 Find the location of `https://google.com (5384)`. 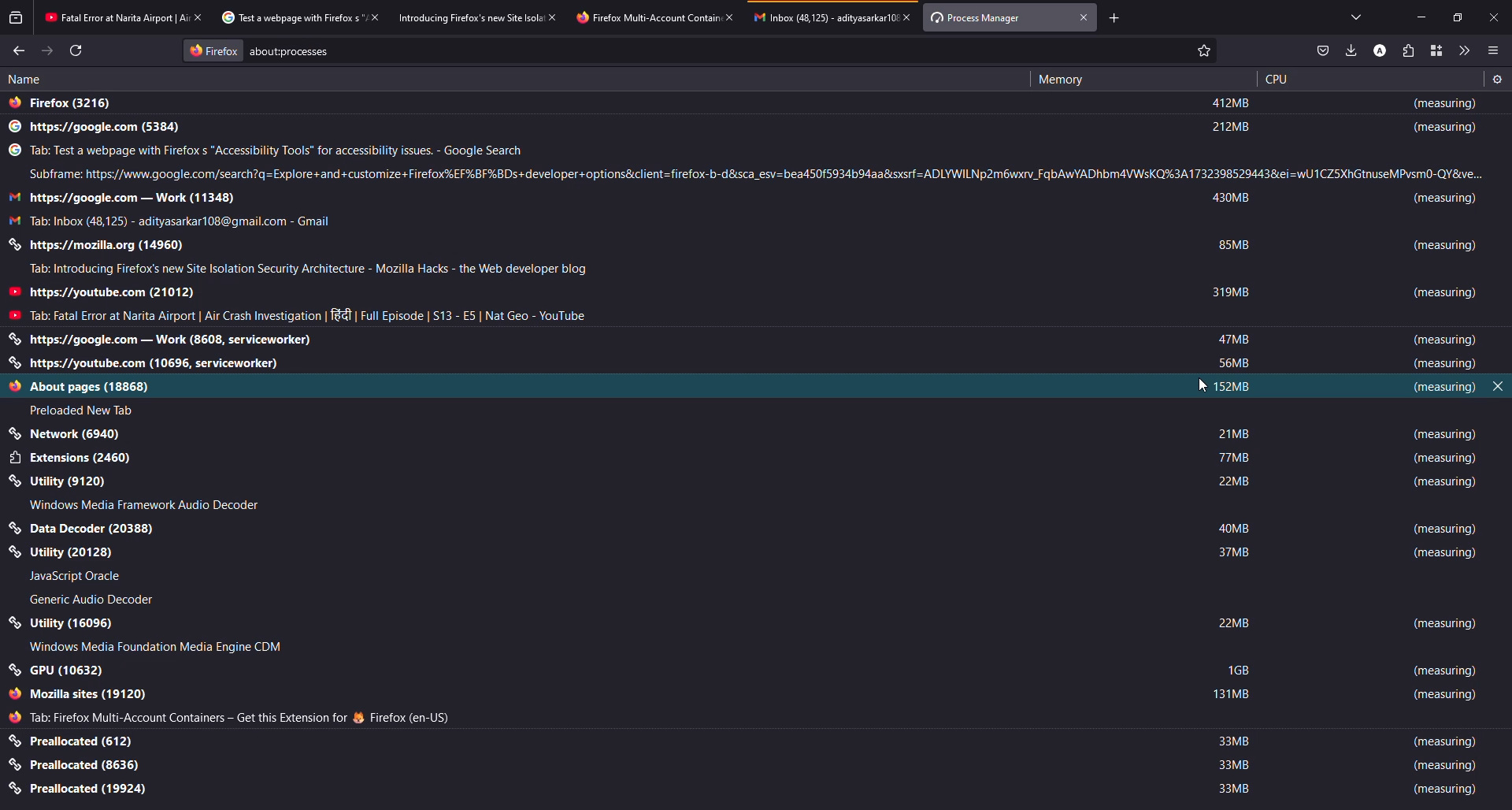

https://google.com (5384) is located at coordinates (98, 127).